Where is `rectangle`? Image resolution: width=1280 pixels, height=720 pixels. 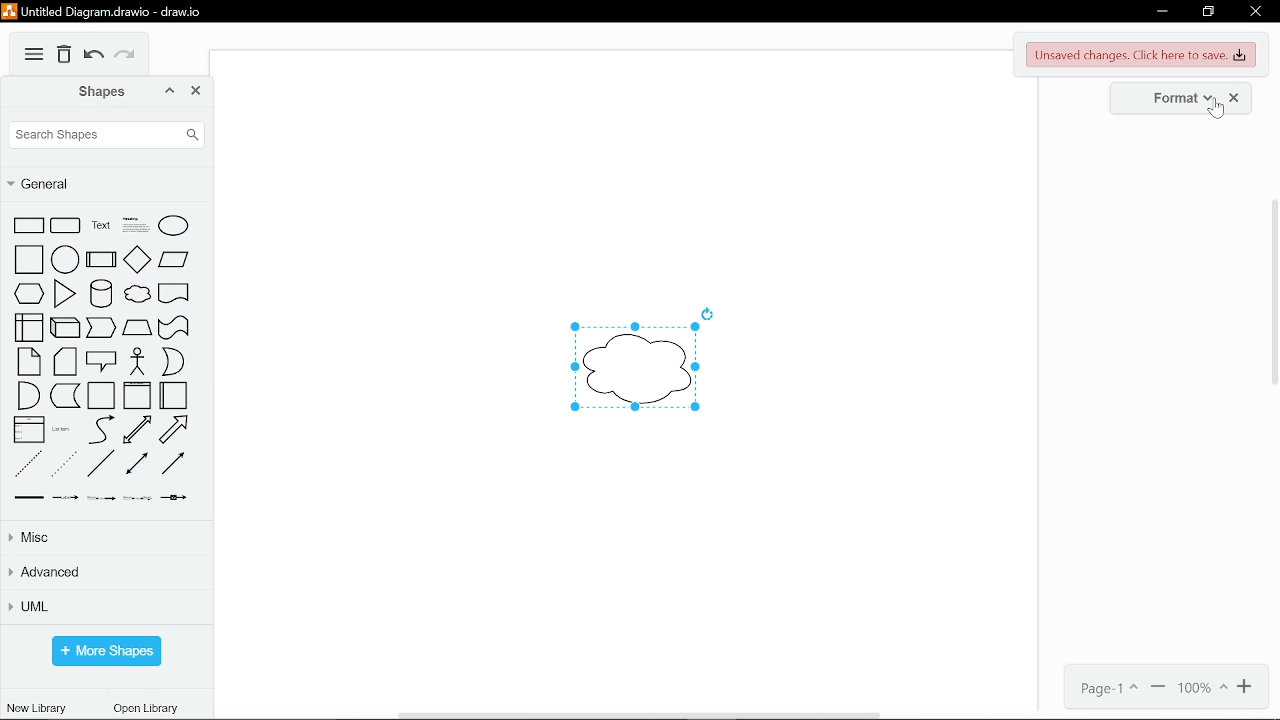 rectangle is located at coordinates (30, 227).